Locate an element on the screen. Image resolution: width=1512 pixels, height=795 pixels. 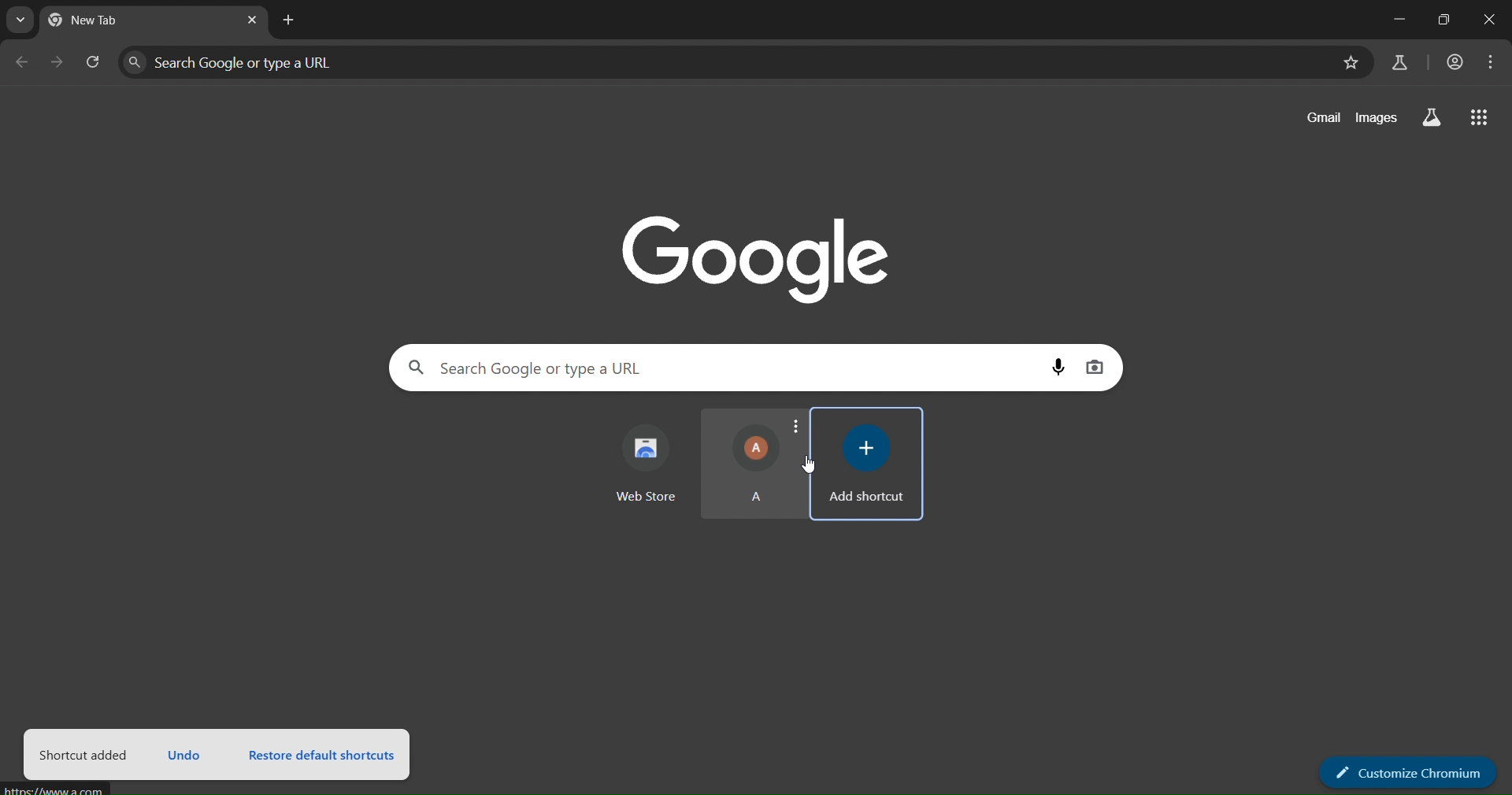
go back one page is located at coordinates (21, 66).